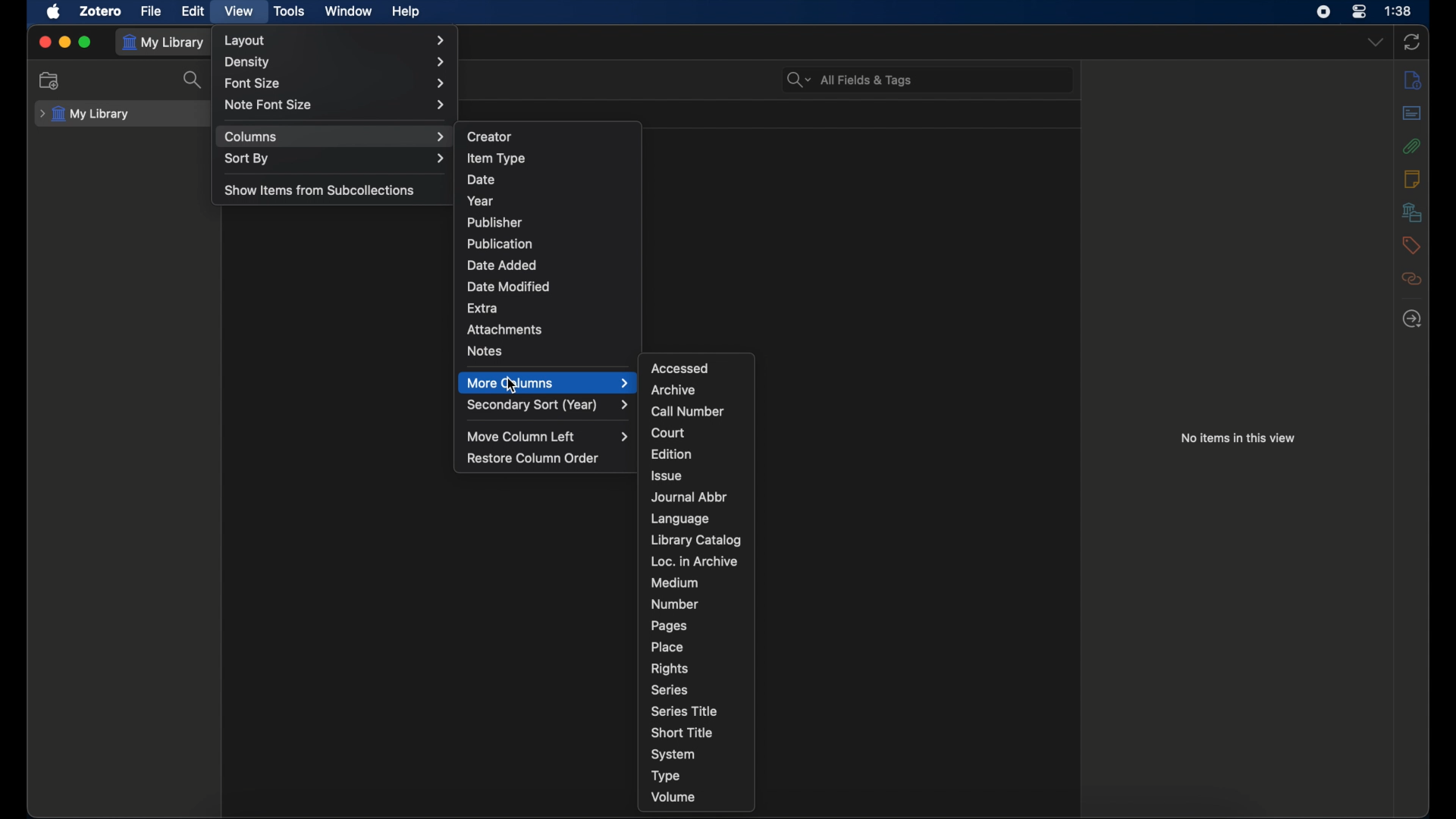 The height and width of the screenshot is (819, 1456). I want to click on new collections, so click(51, 81).